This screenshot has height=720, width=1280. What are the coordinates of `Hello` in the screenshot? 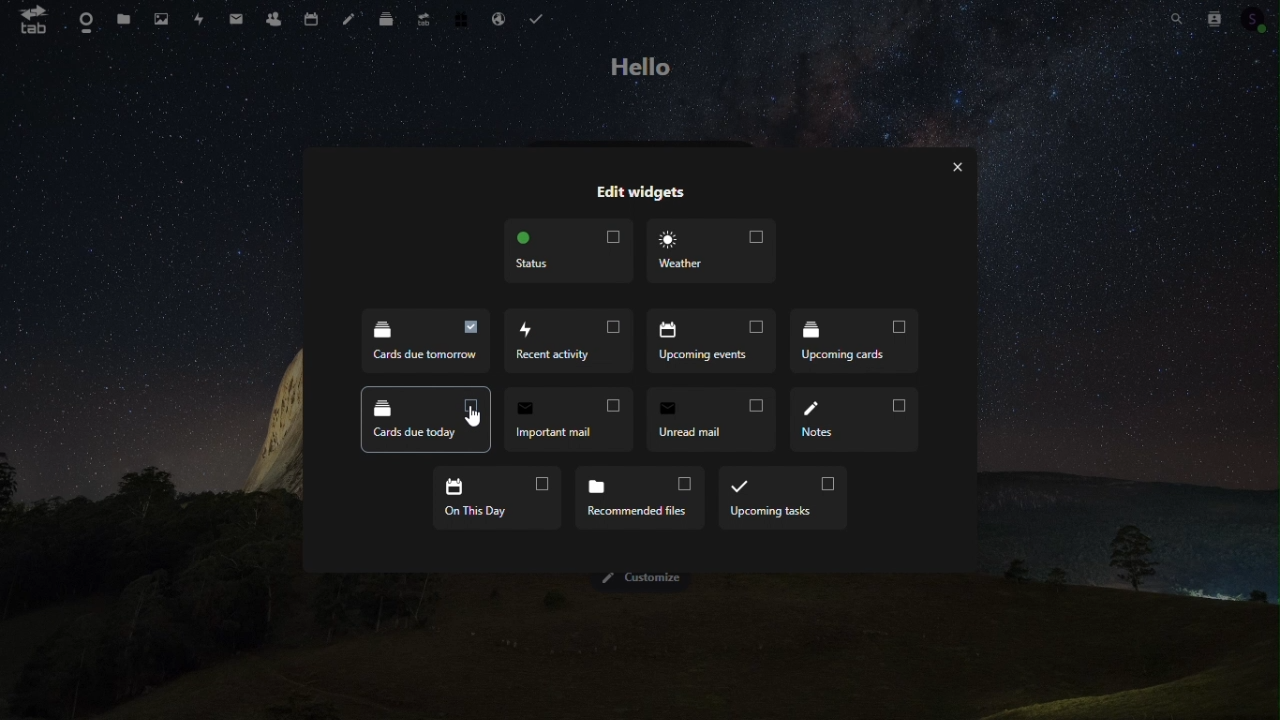 It's located at (646, 65).